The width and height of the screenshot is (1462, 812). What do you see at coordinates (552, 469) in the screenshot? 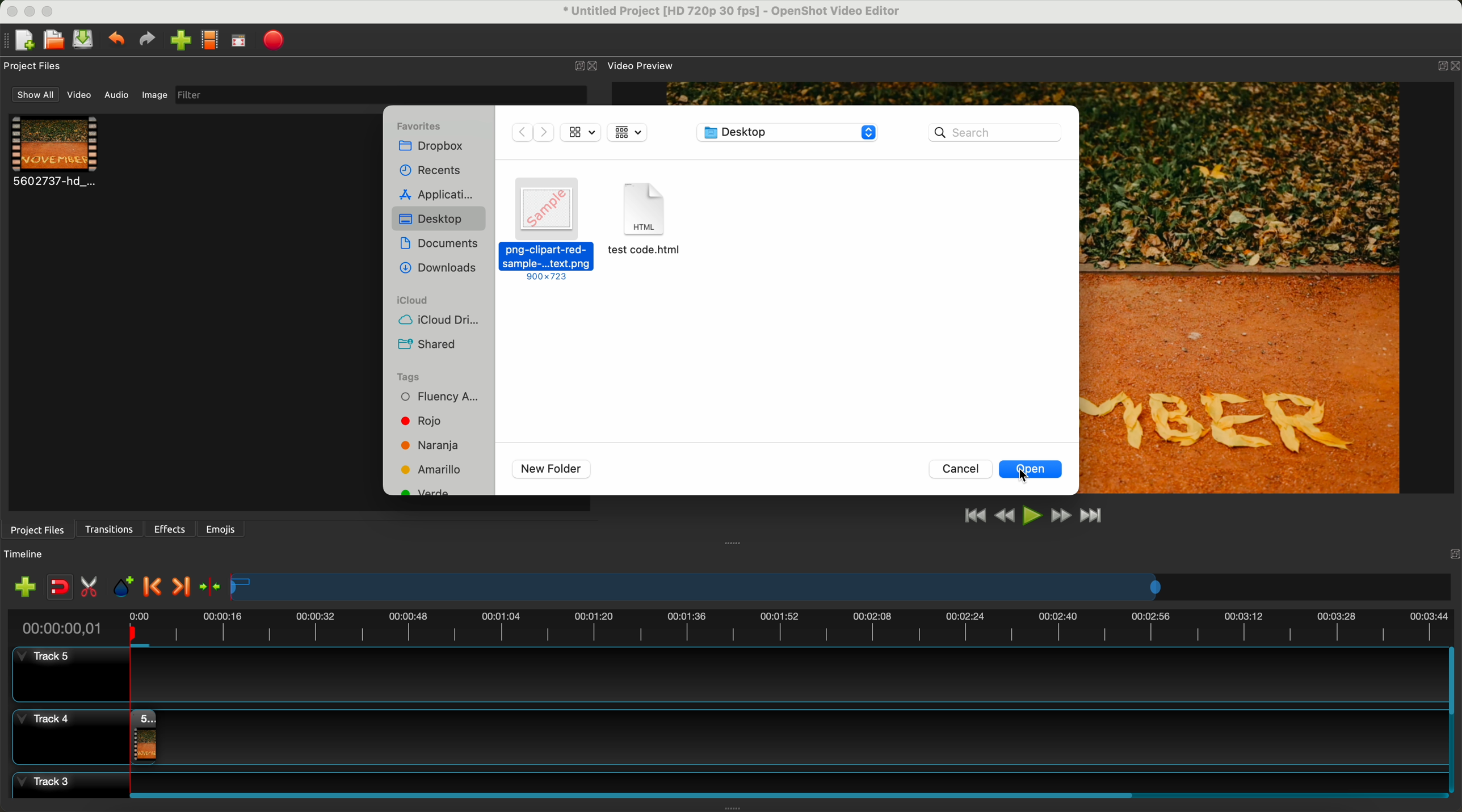
I see `new folder` at bounding box center [552, 469].